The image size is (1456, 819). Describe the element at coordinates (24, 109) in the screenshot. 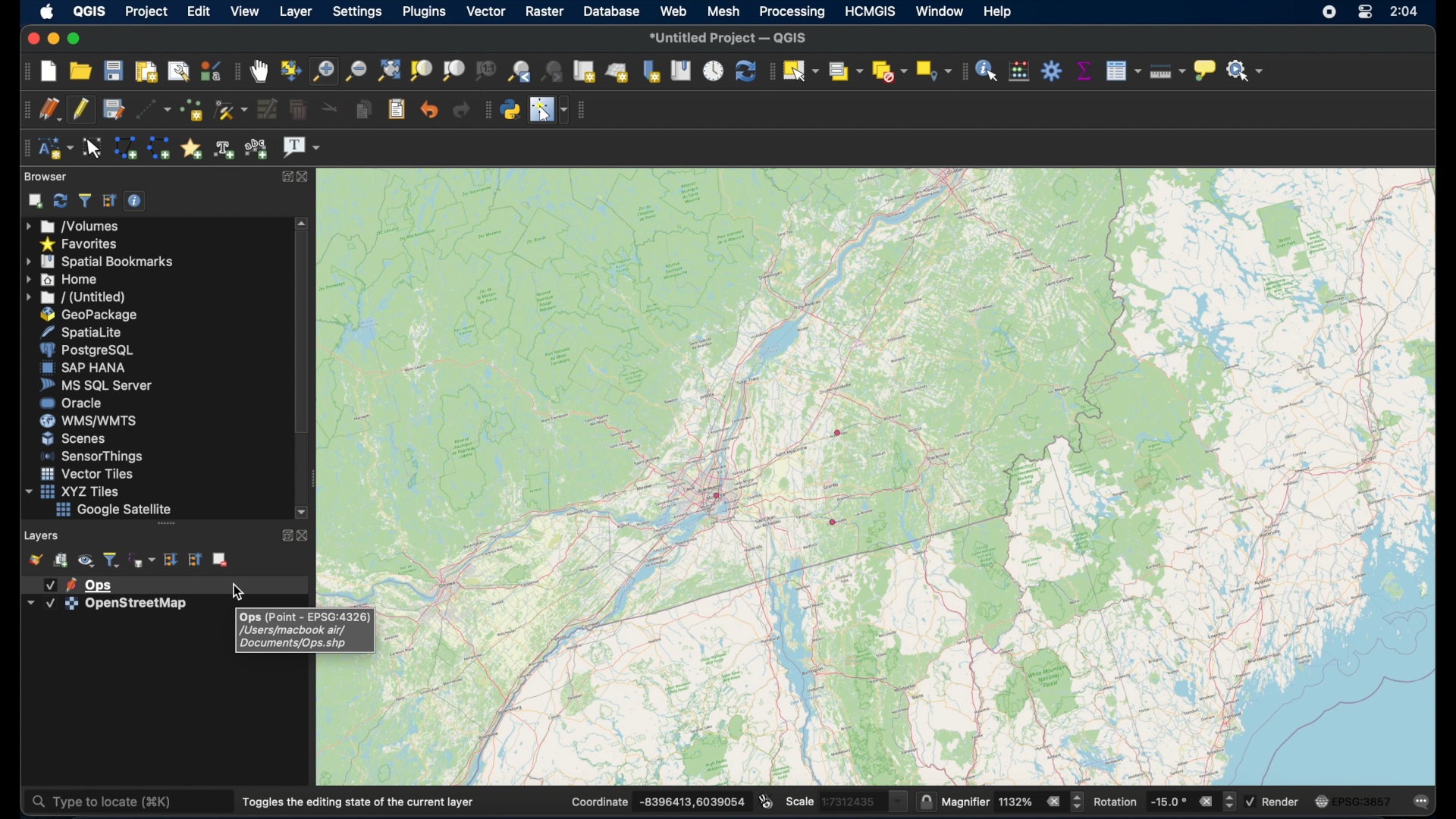

I see `digitizing toolbar` at that location.